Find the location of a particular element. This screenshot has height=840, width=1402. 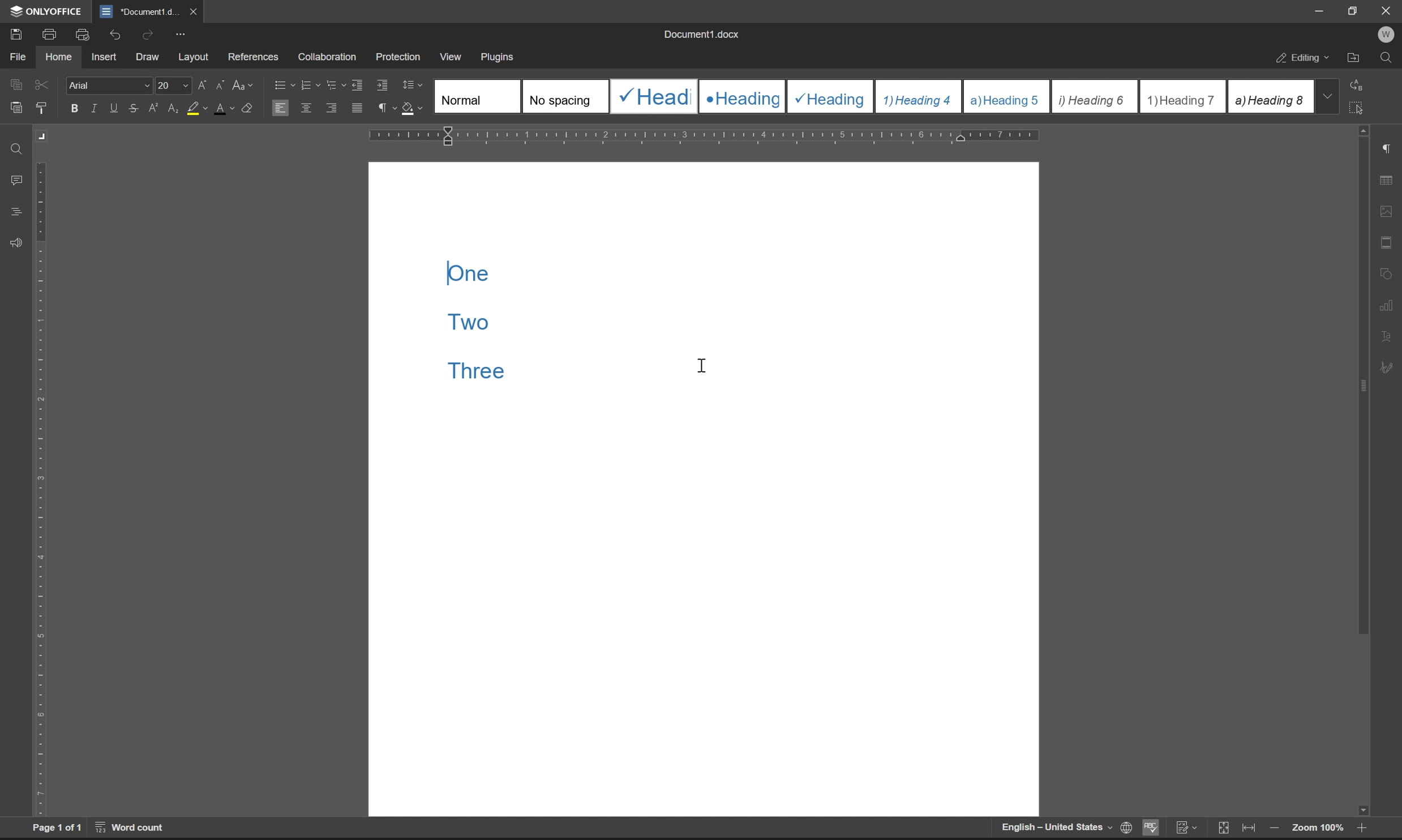

shape settings is located at coordinates (1386, 271).